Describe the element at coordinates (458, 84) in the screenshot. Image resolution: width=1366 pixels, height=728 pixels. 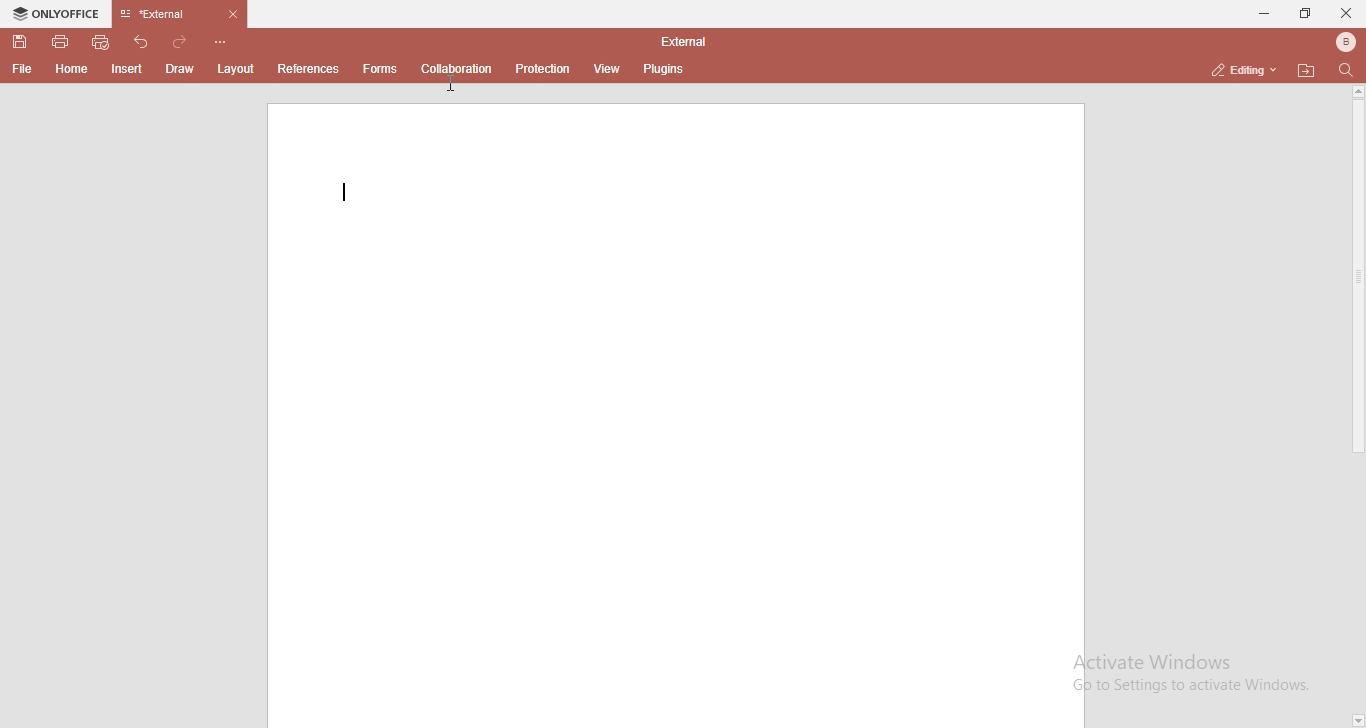
I see `cursor` at that location.